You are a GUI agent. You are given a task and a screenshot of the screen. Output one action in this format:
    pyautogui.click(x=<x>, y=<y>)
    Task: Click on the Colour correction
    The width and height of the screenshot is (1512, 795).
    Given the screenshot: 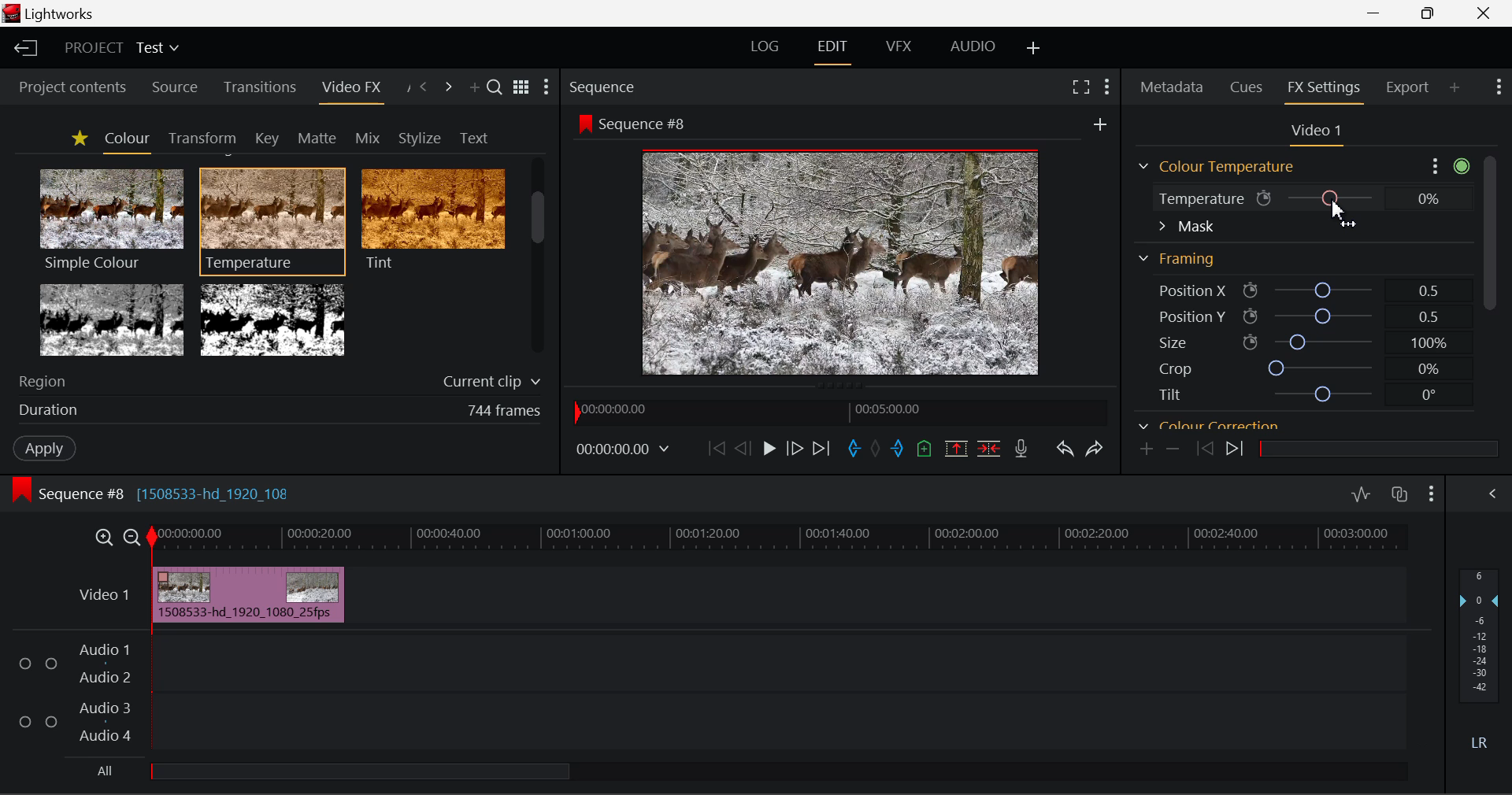 What is the action you would take?
    pyautogui.click(x=1209, y=423)
    